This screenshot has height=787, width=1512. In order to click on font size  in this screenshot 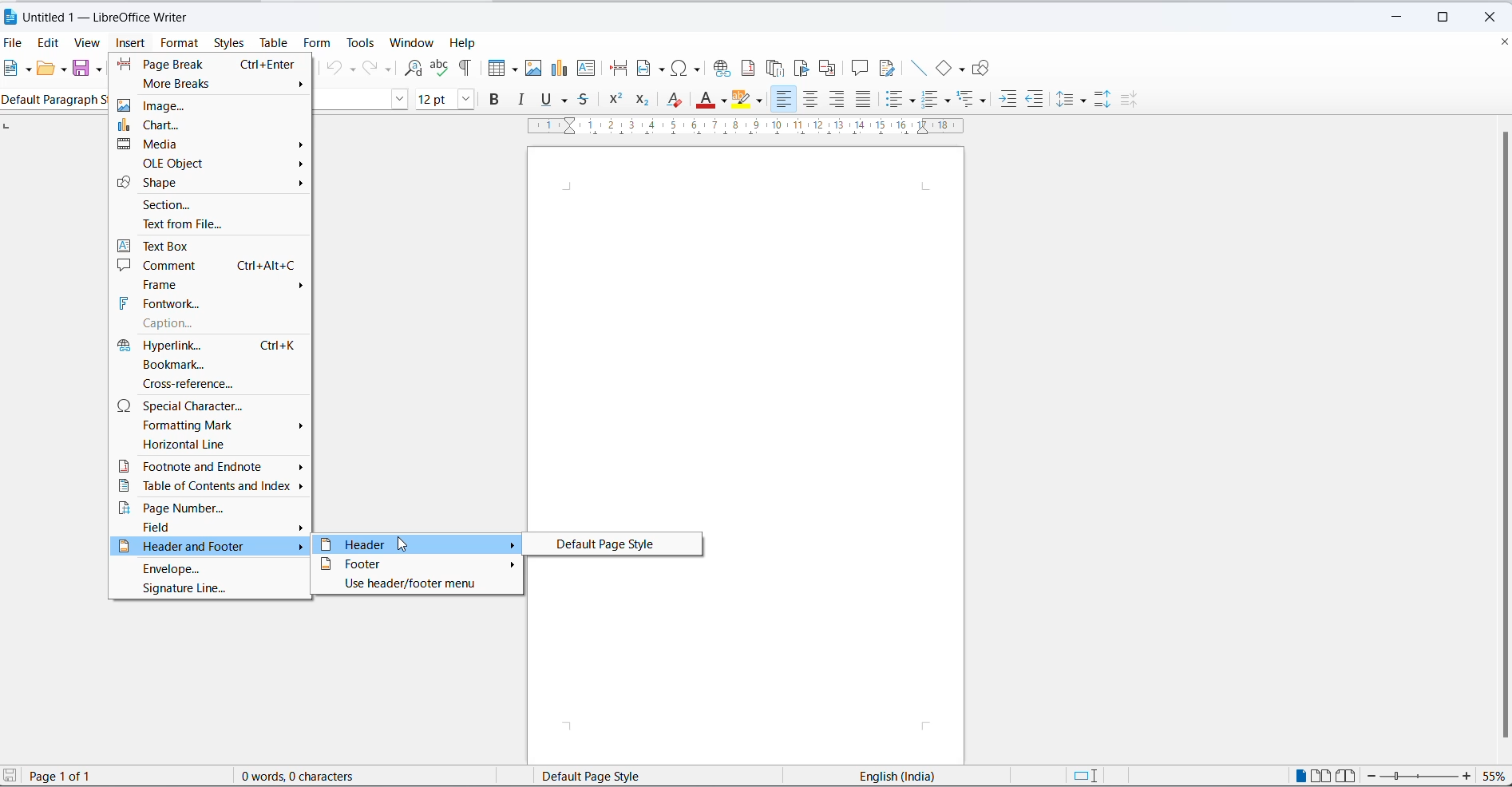, I will do `click(433, 100)`.